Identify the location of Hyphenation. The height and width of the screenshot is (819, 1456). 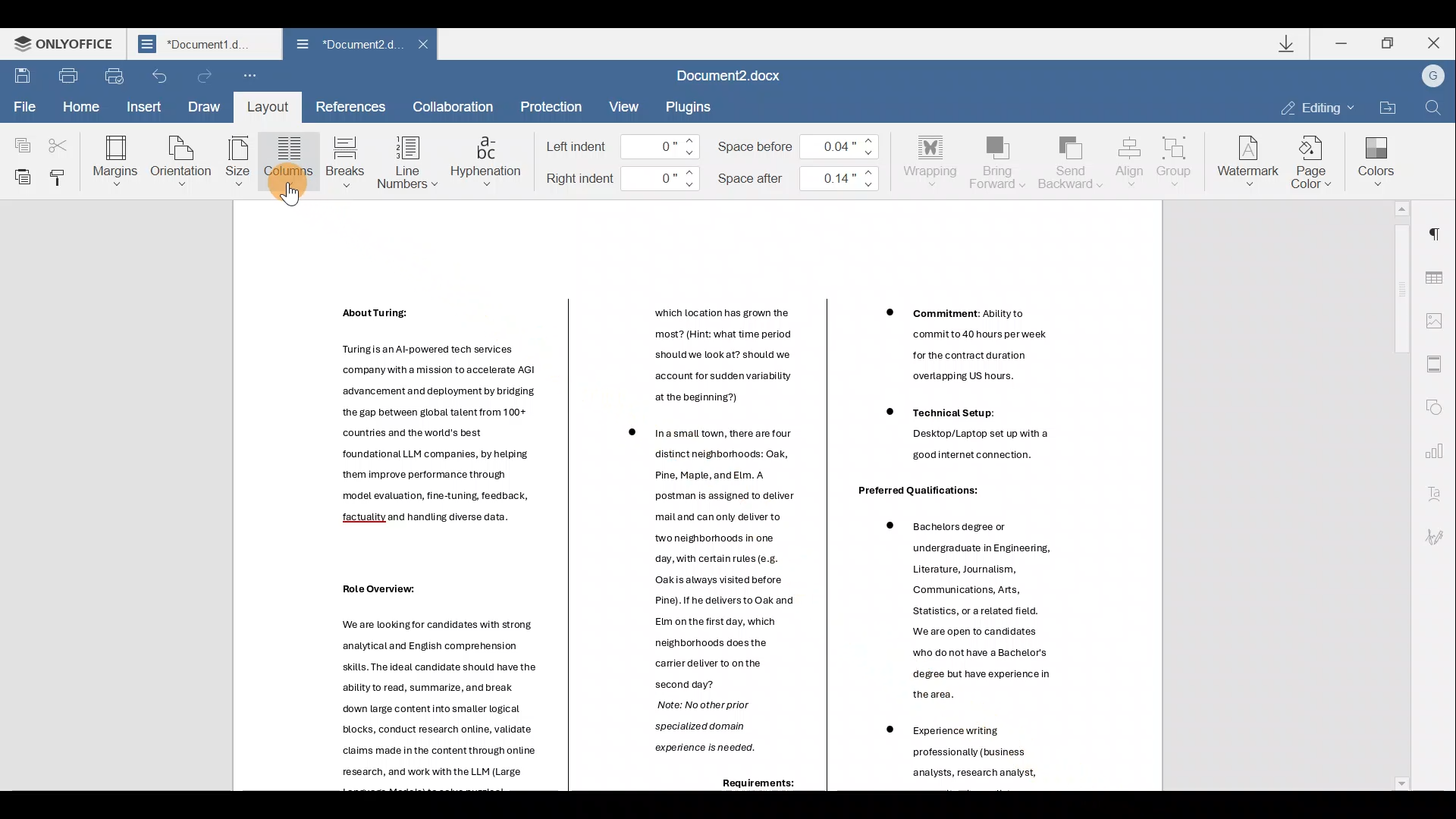
(487, 158).